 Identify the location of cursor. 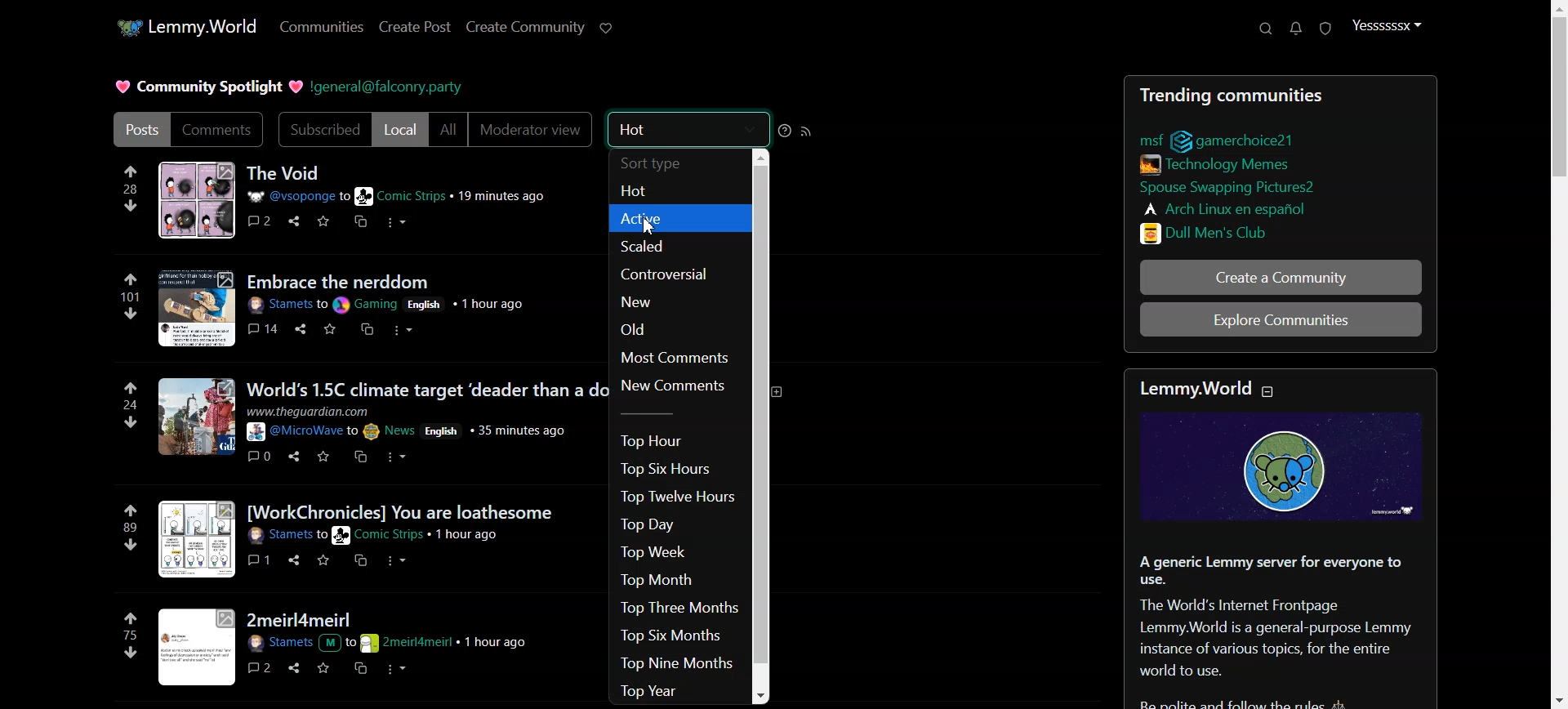
(655, 225).